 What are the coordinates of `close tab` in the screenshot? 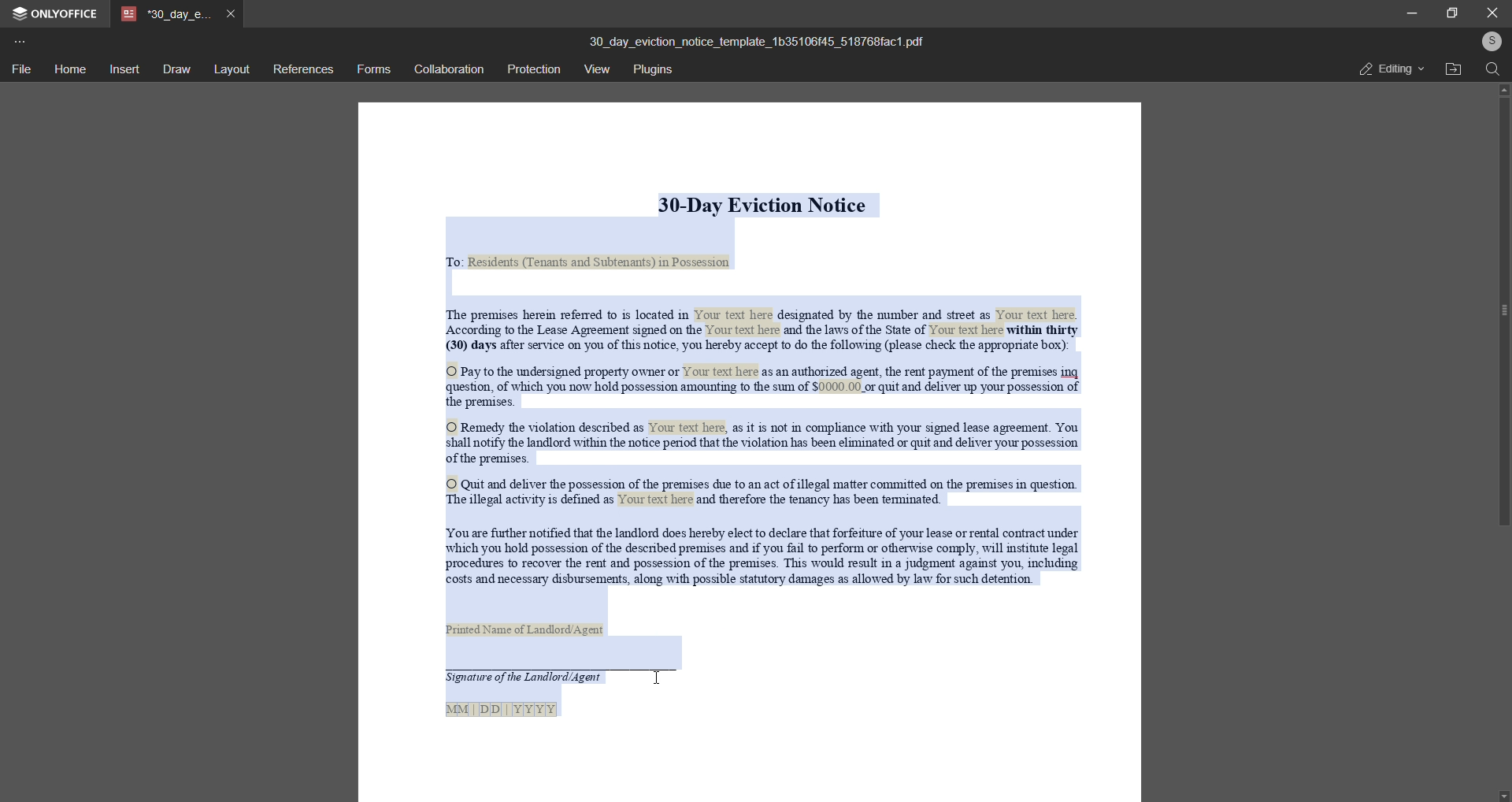 It's located at (234, 13).